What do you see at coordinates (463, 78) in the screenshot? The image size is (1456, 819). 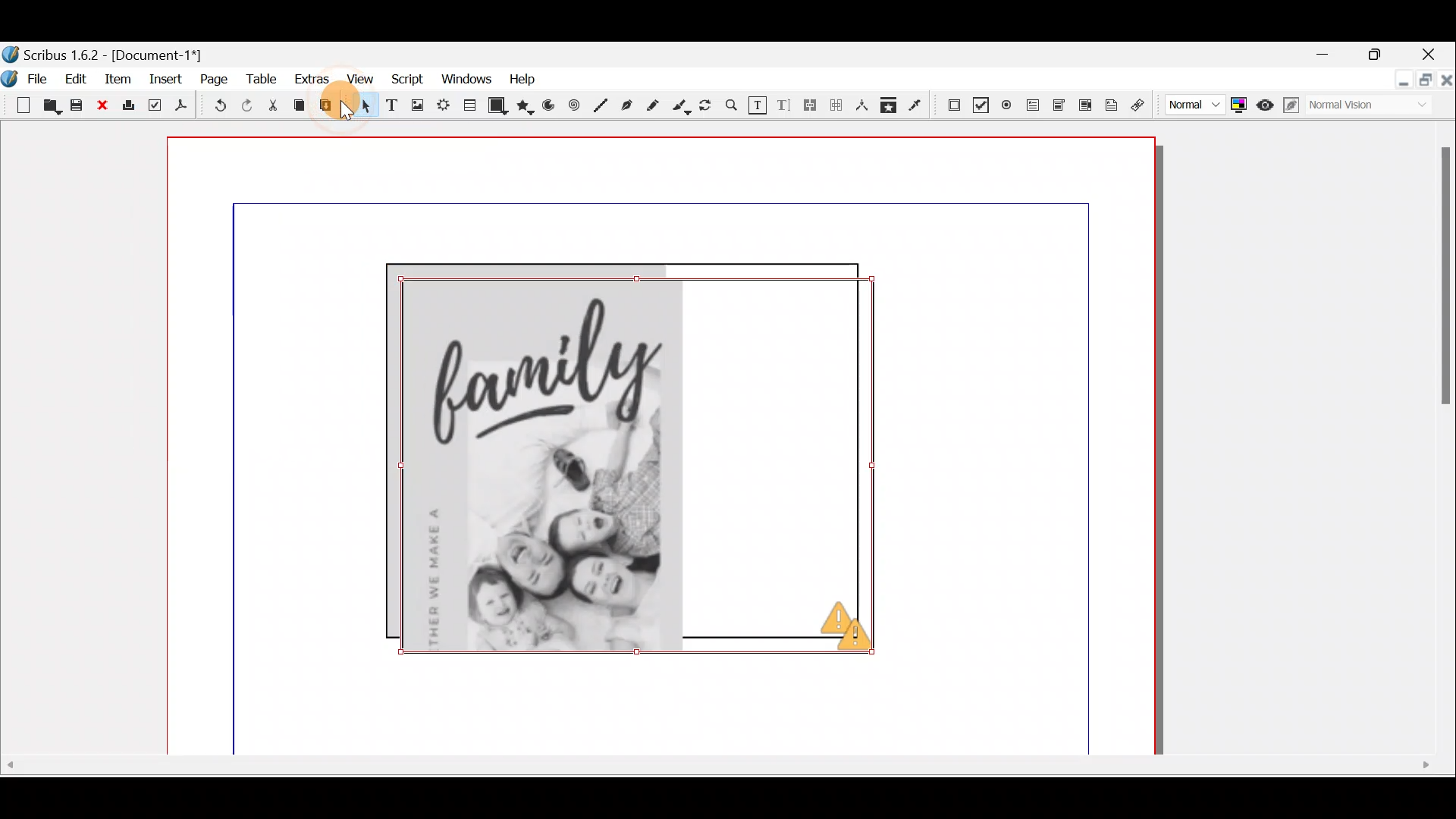 I see `Windows` at bounding box center [463, 78].